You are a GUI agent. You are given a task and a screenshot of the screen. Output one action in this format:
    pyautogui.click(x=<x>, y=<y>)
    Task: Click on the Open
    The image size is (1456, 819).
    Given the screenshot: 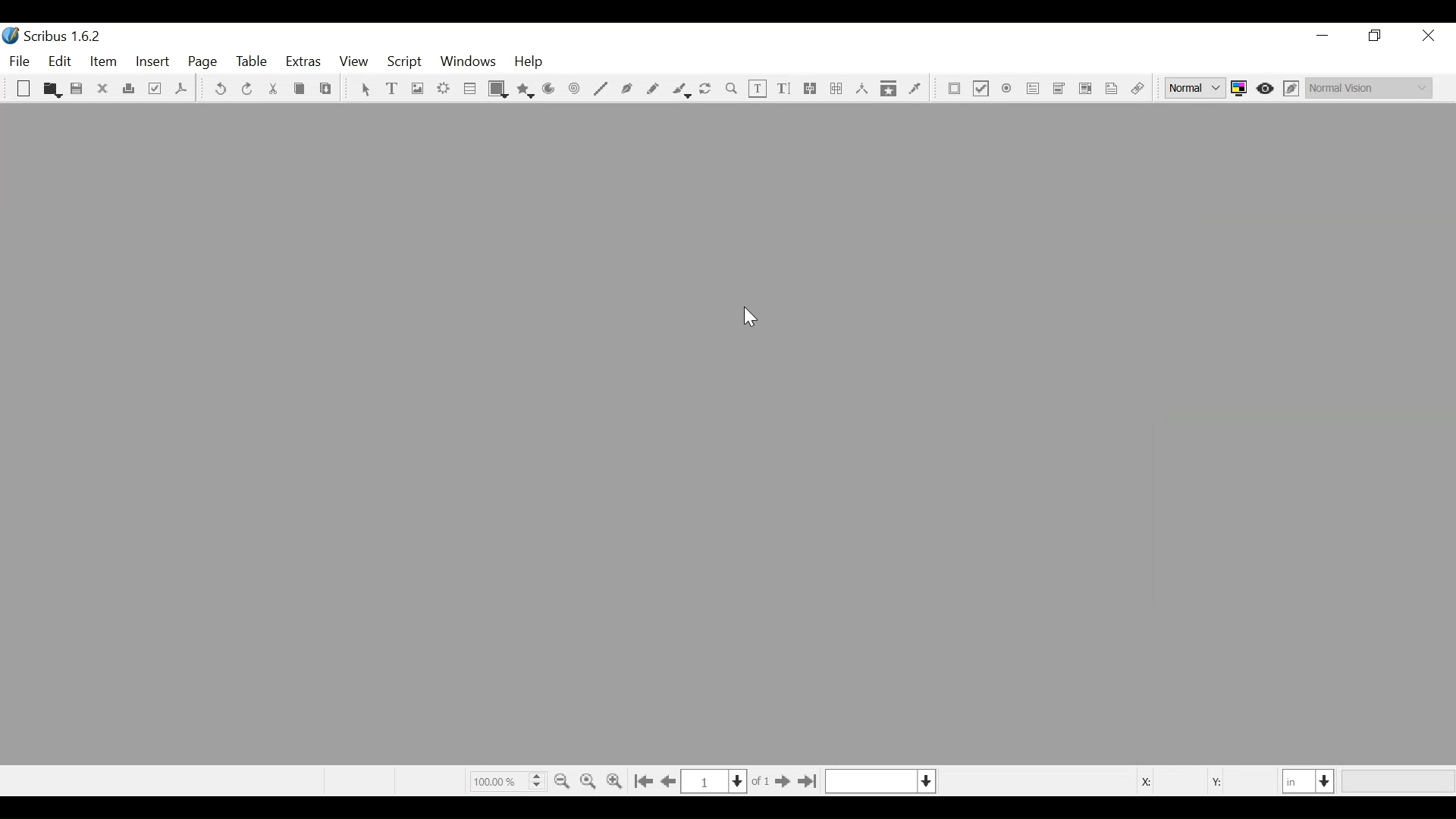 What is the action you would take?
    pyautogui.click(x=51, y=89)
    